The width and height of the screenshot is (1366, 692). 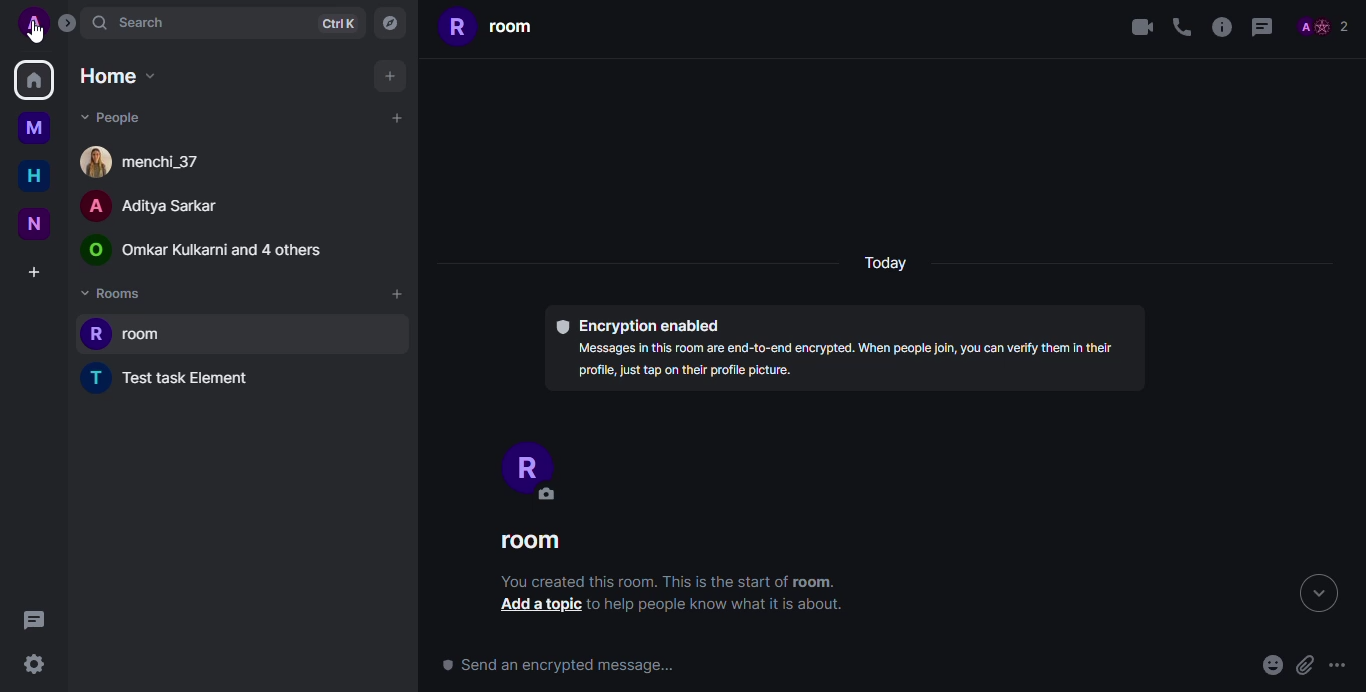 I want to click on You created this room. This is the start of room., so click(x=664, y=580).